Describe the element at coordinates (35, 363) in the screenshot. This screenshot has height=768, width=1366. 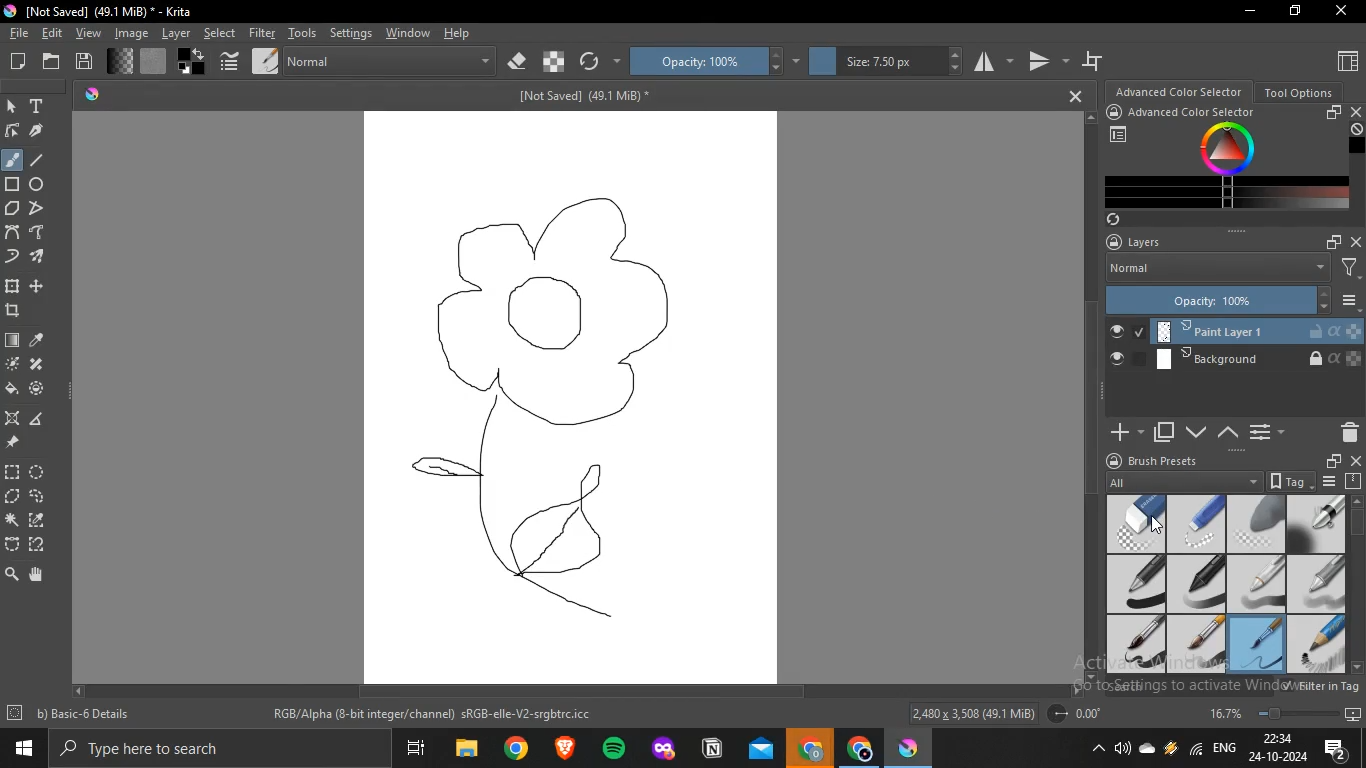
I see `smart patch tool` at that location.